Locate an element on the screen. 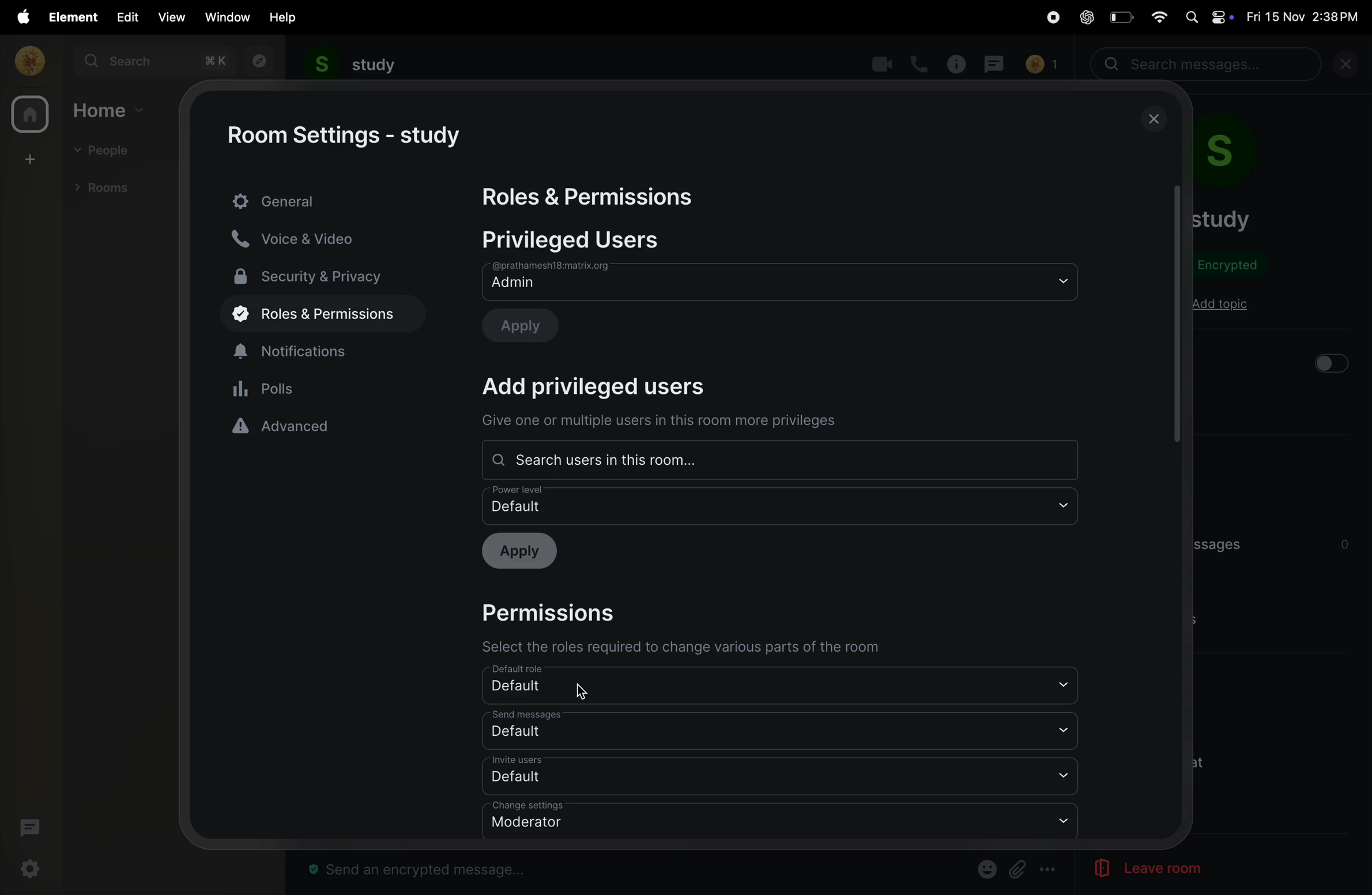 The width and height of the screenshot is (1372, 895). Polls is located at coordinates (325, 388).